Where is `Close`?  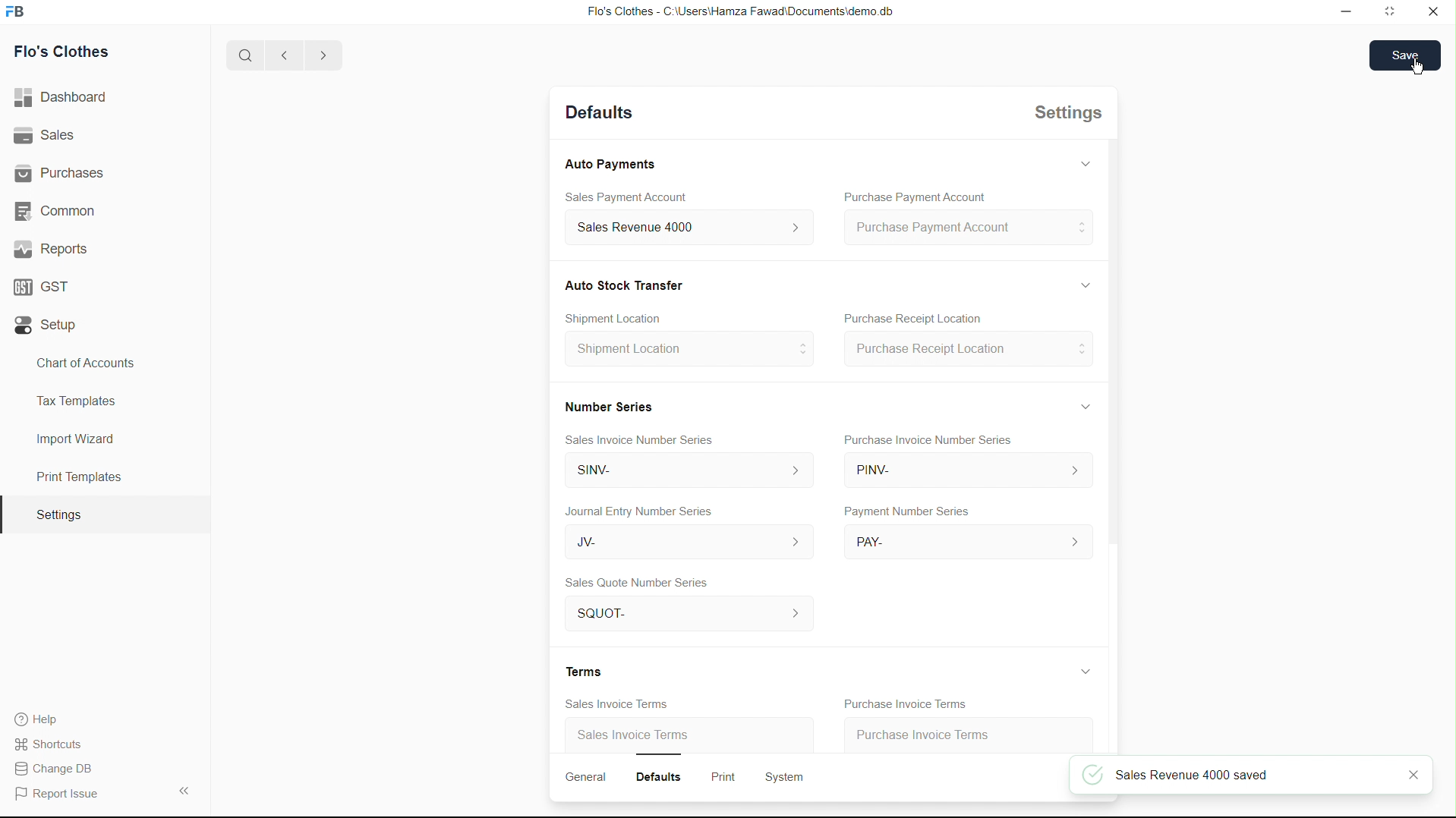
Close is located at coordinates (1433, 13).